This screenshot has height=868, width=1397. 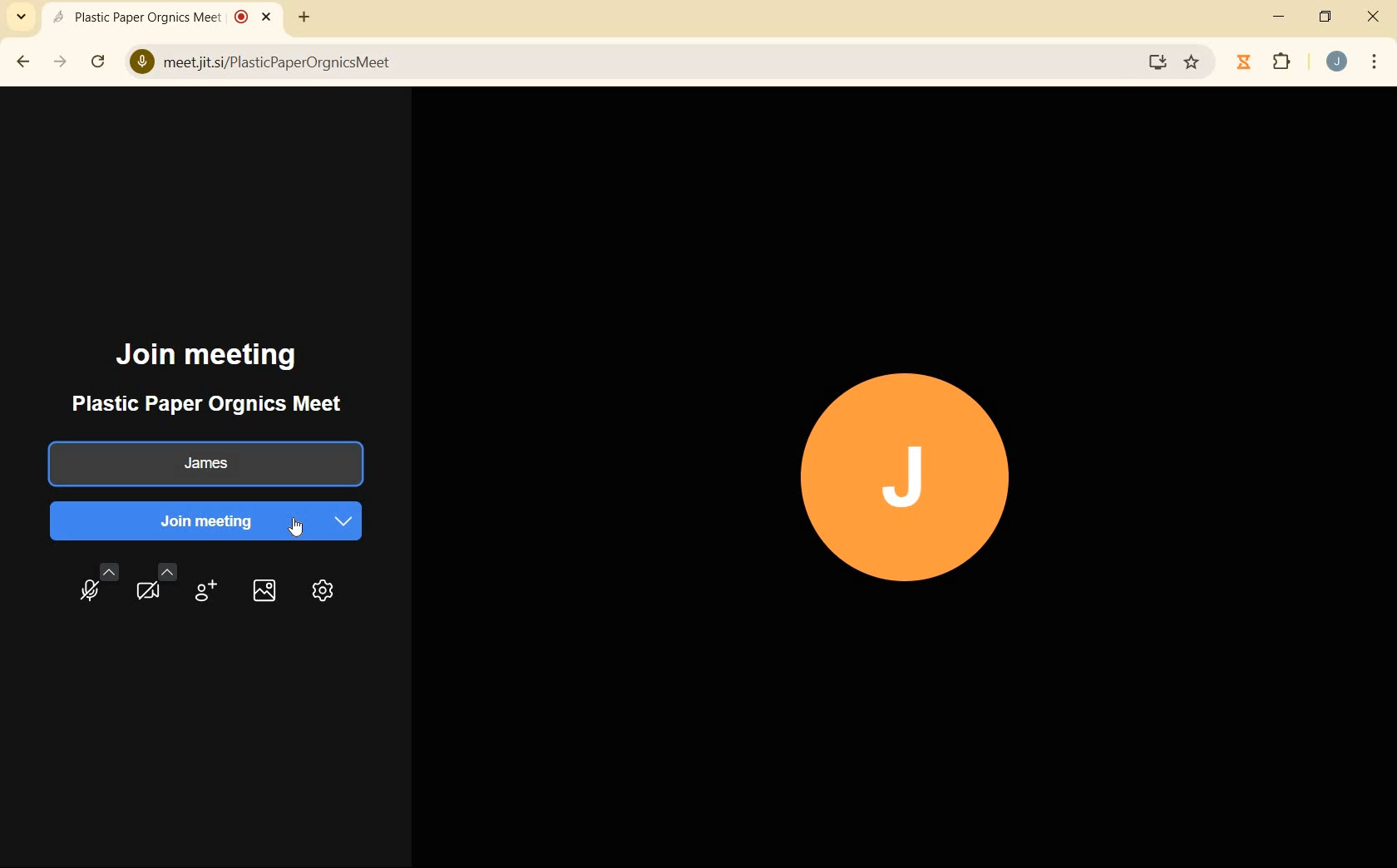 I want to click on video, so click(x=155, y=584).